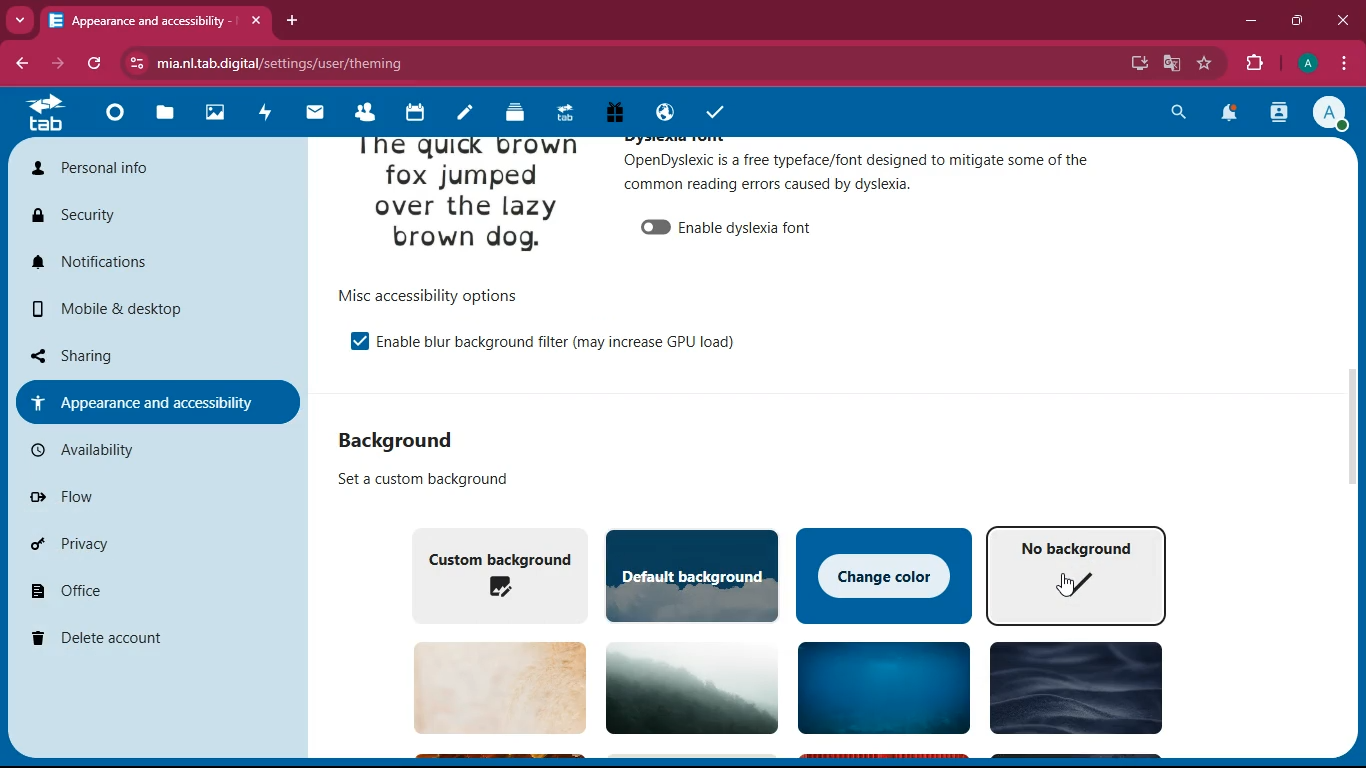 The height and width of the screenshot is (768, 1366). I want to click on activity, so click(1280, 113).